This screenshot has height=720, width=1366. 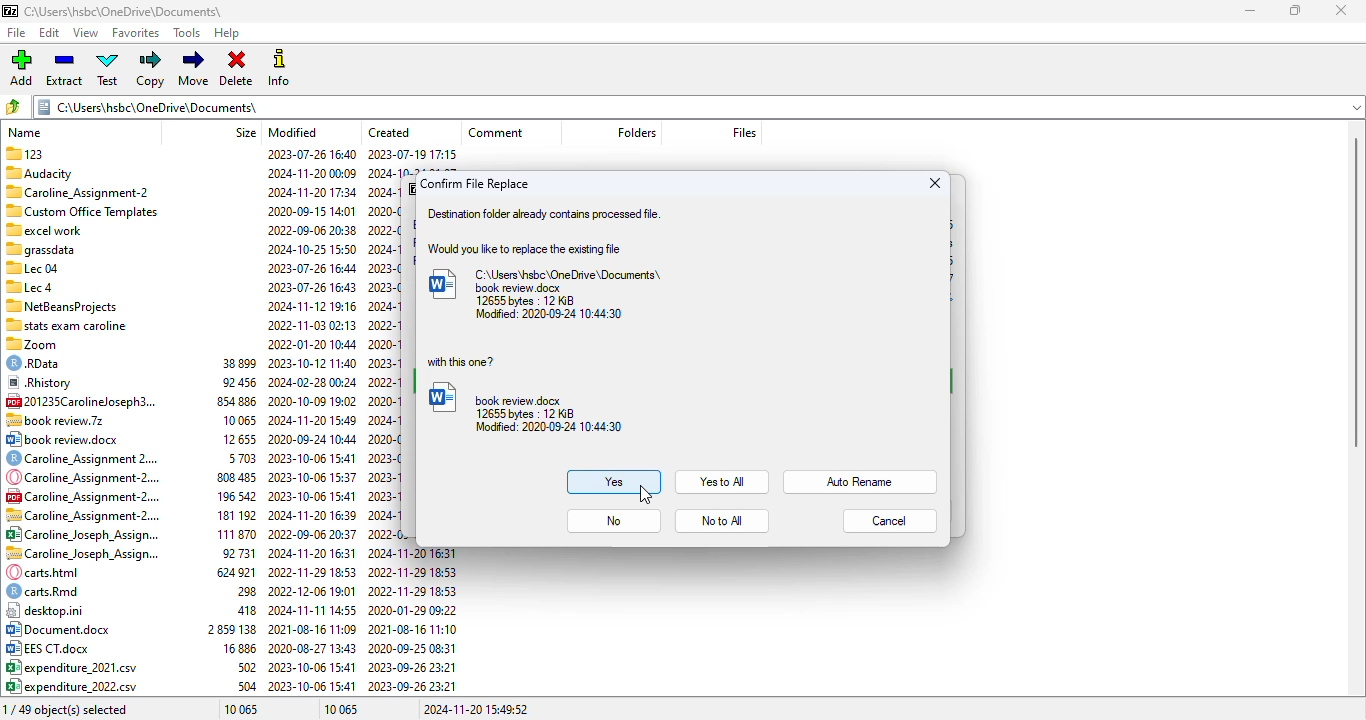 I want to click on ® Rhistory, so click(x=40, y=381).